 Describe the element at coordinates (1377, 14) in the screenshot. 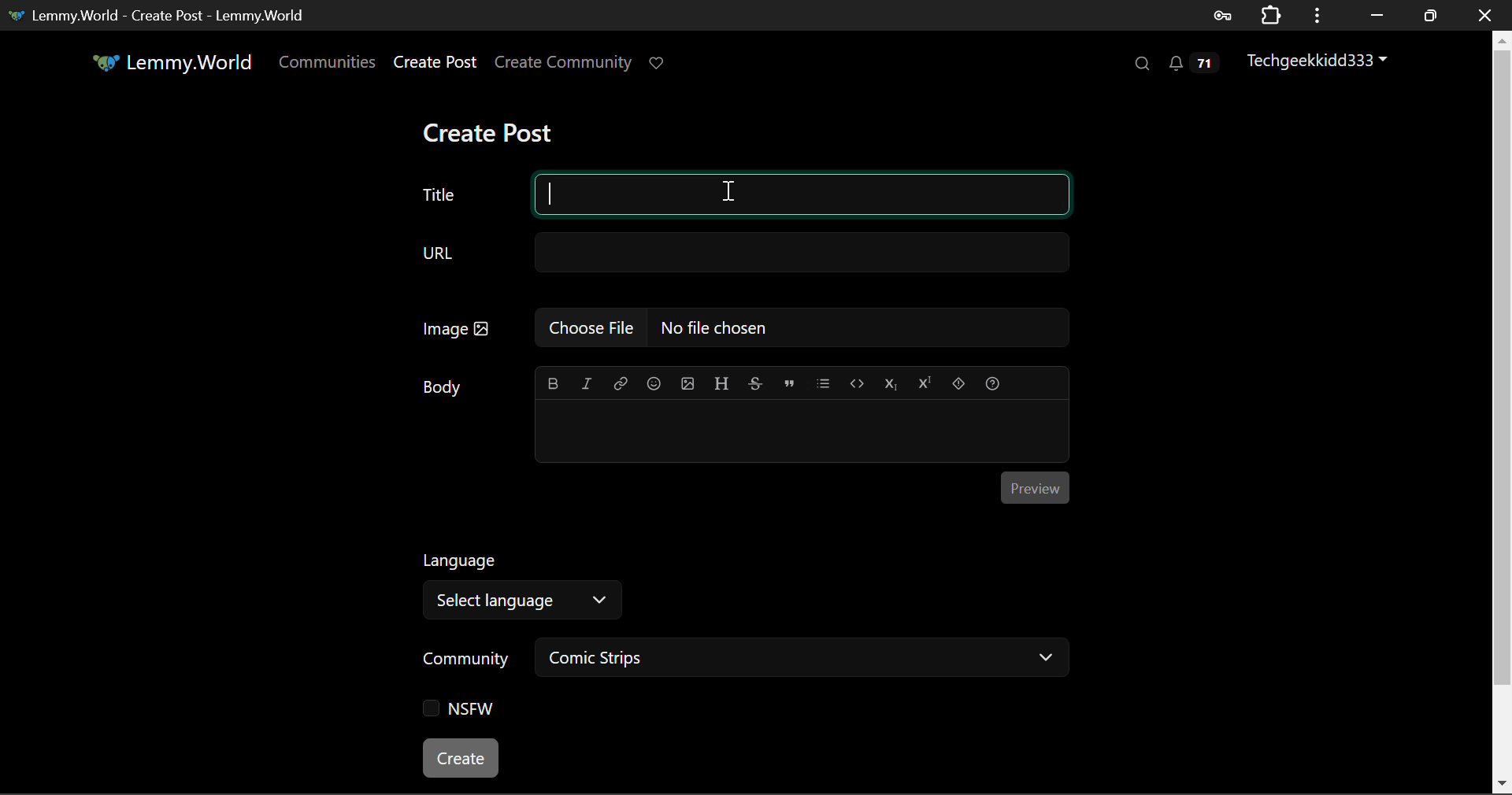

I see `Restore Down` at that location.